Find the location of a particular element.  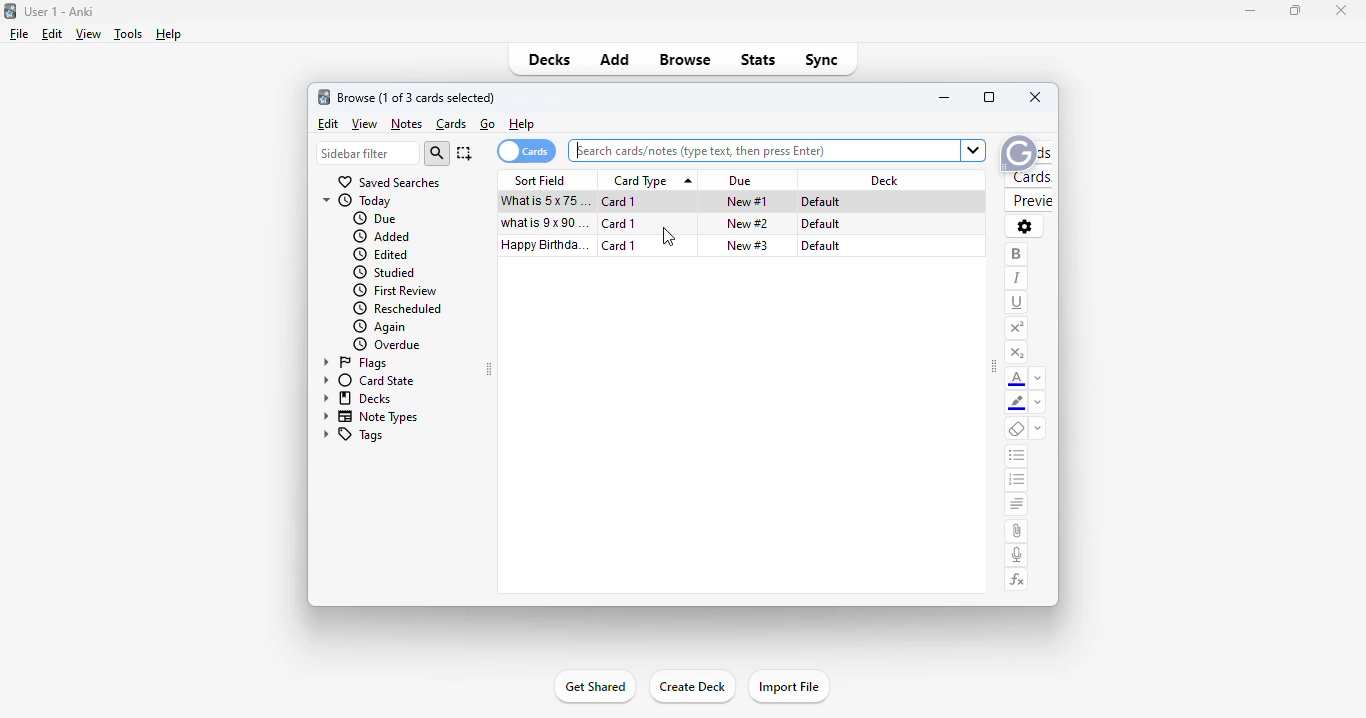

maximize is located at coordinates (989, 97).